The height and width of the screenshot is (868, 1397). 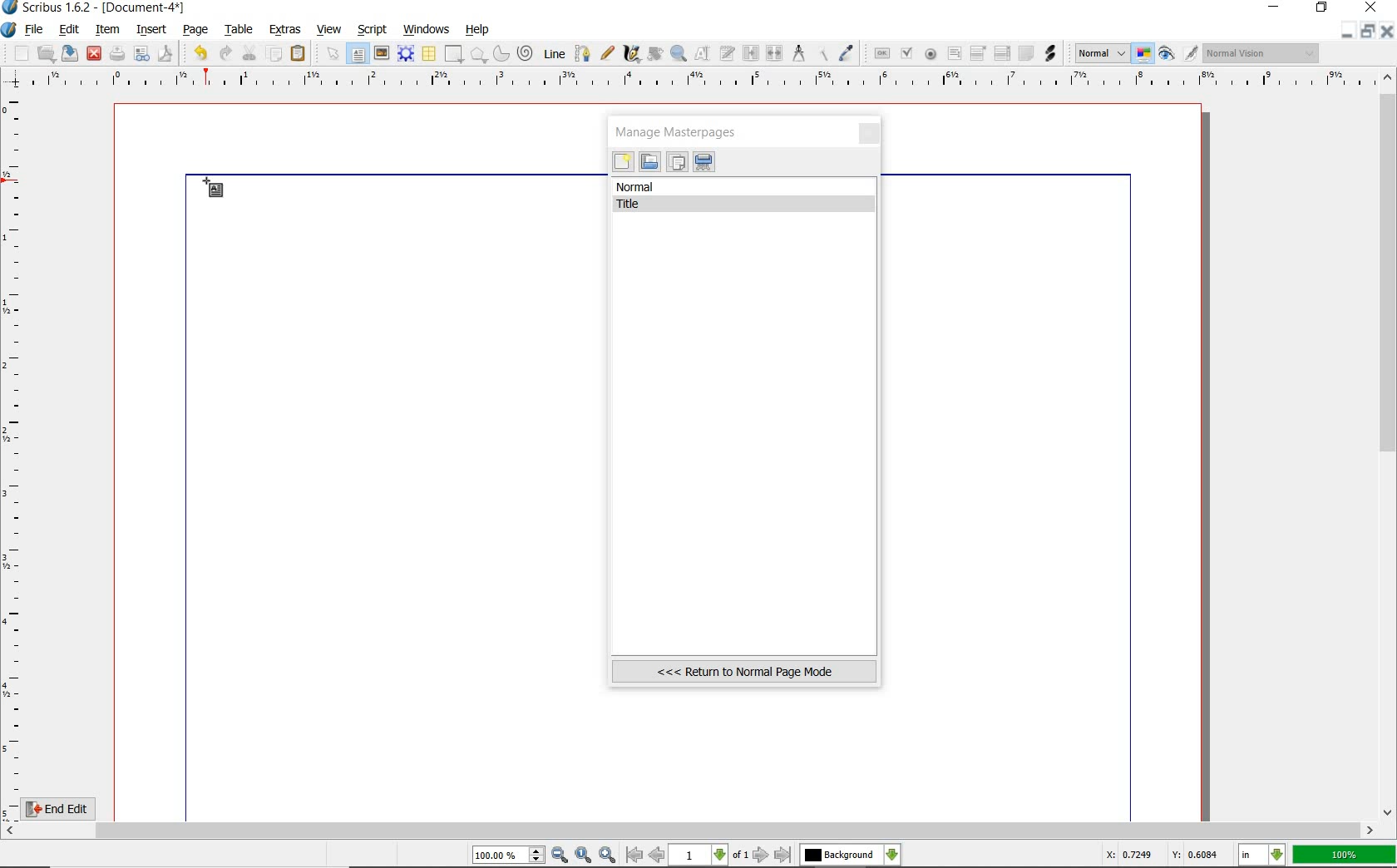 What do you see at coordinates (373, 28) in the screenshot?
I see `script` at bounding box center [373, 28].